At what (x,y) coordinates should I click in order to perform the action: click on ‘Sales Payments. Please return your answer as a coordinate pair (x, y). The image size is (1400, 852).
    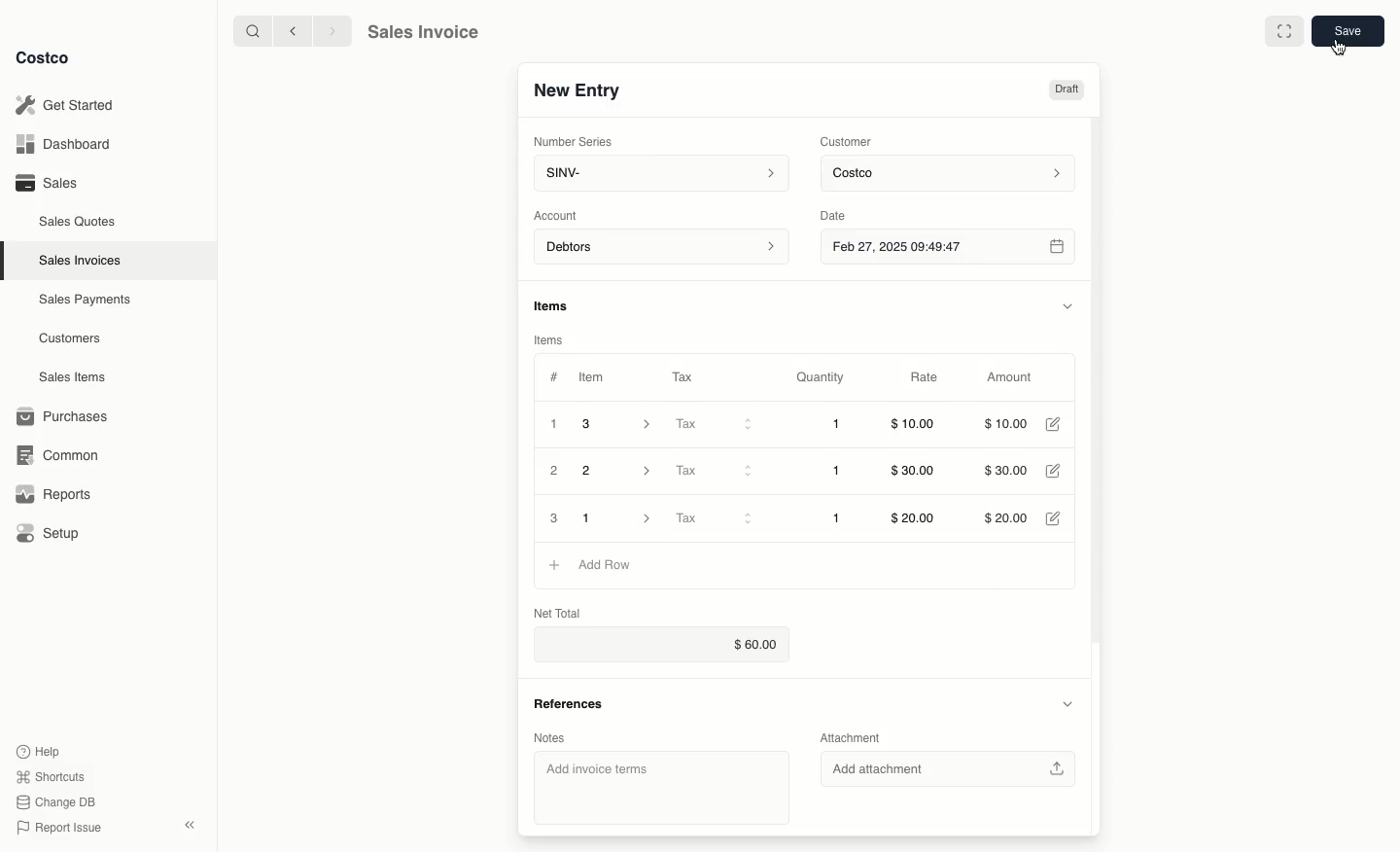
    Looking at the image, I should click on (85, 298).